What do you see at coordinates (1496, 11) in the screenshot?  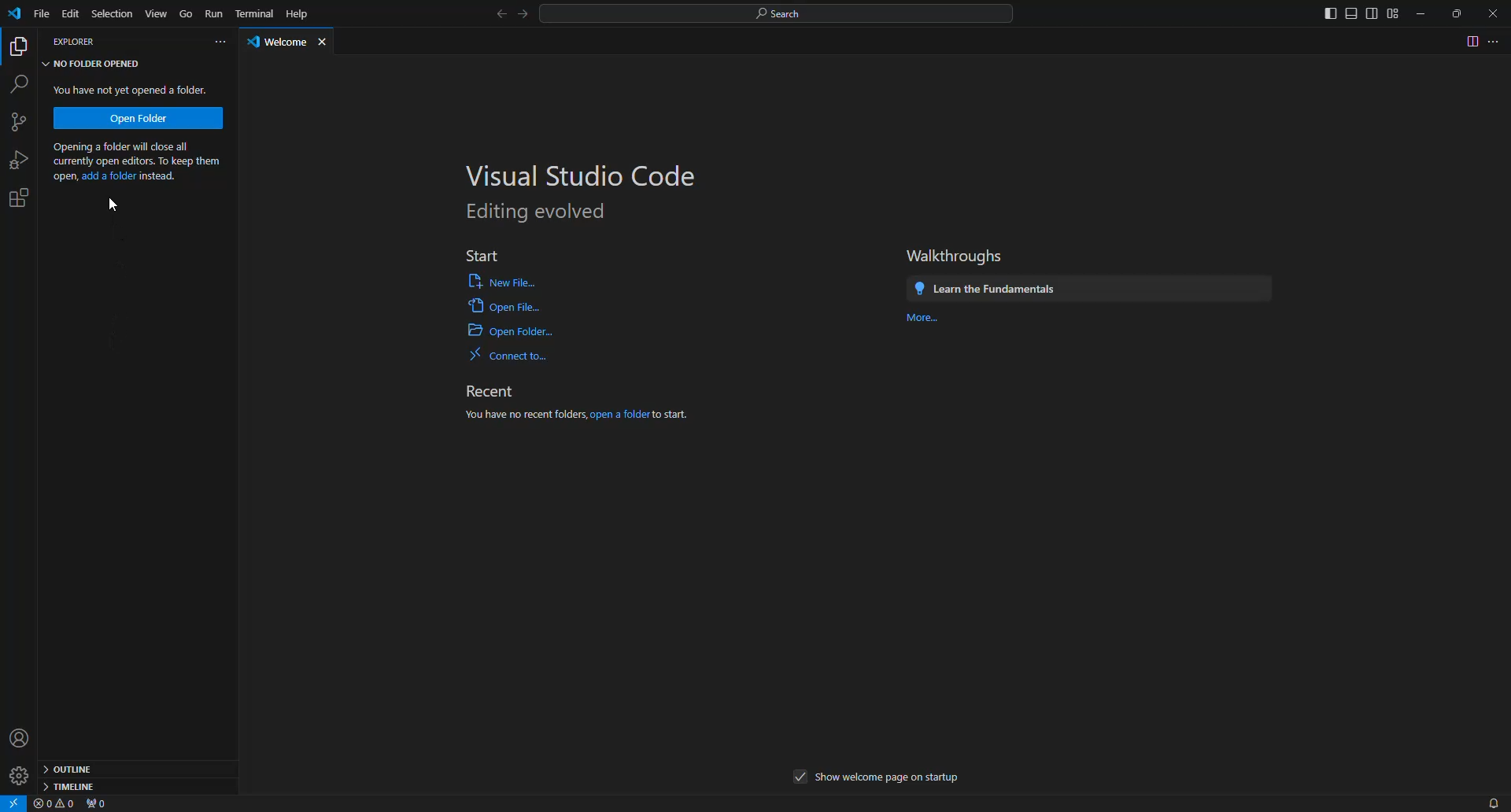 I see `close` at bounding box center [1496, 11].